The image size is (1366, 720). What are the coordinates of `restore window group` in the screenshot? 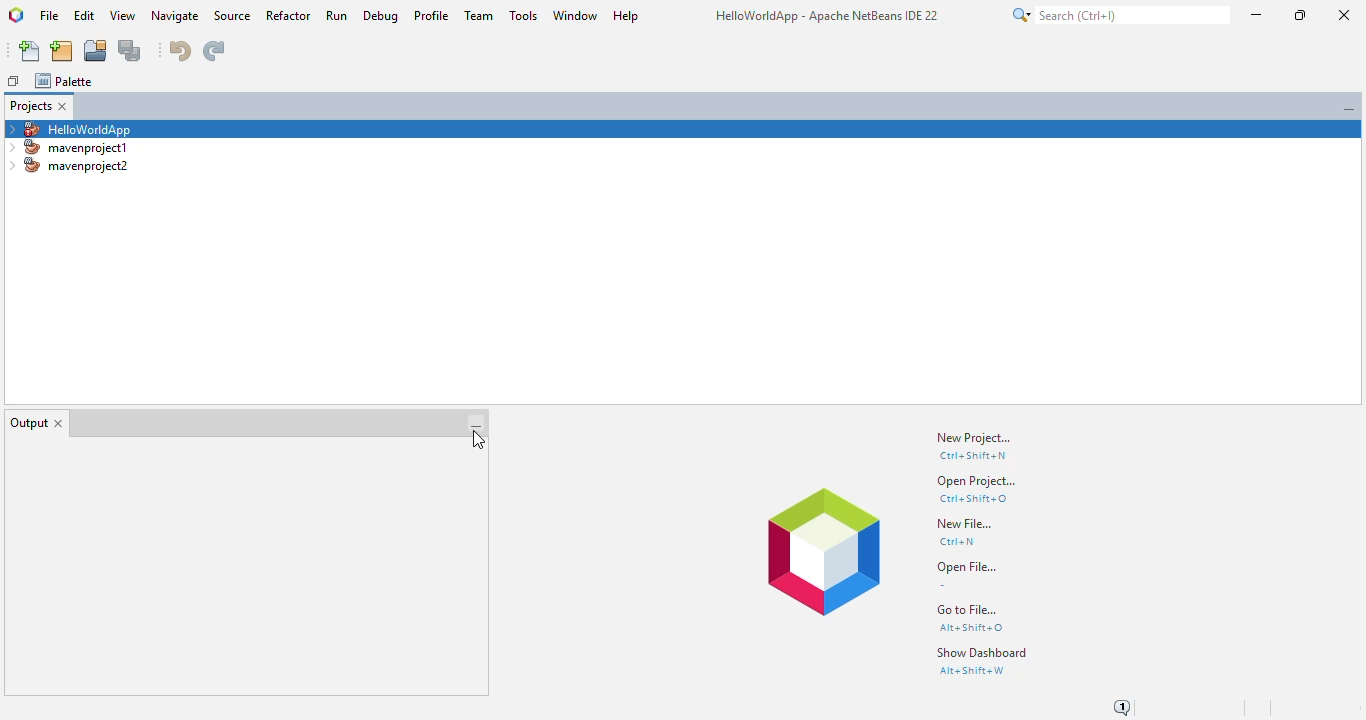 It's located at (15, 81).